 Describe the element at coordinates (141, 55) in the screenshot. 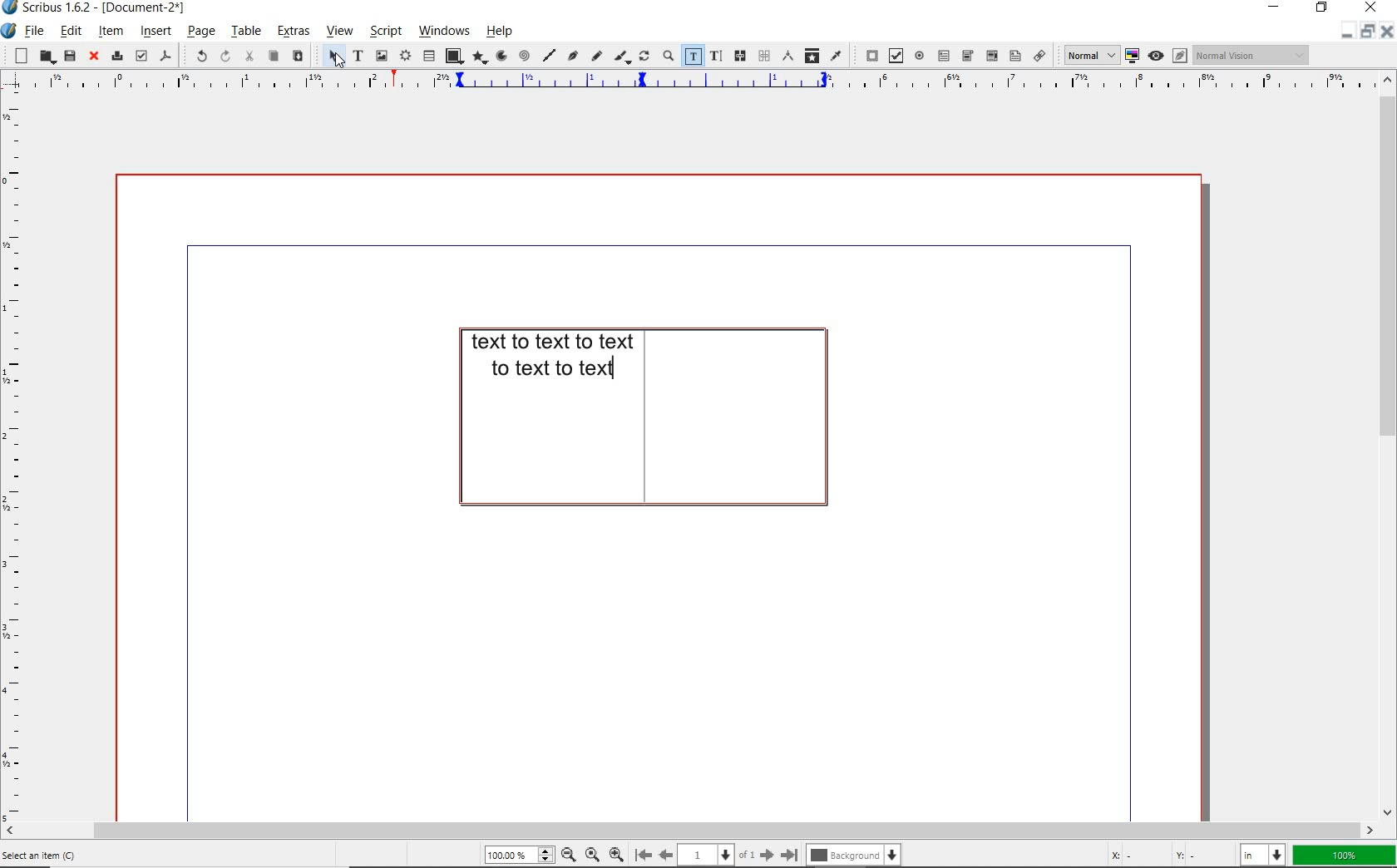

I see `preflight verifier` at that location.